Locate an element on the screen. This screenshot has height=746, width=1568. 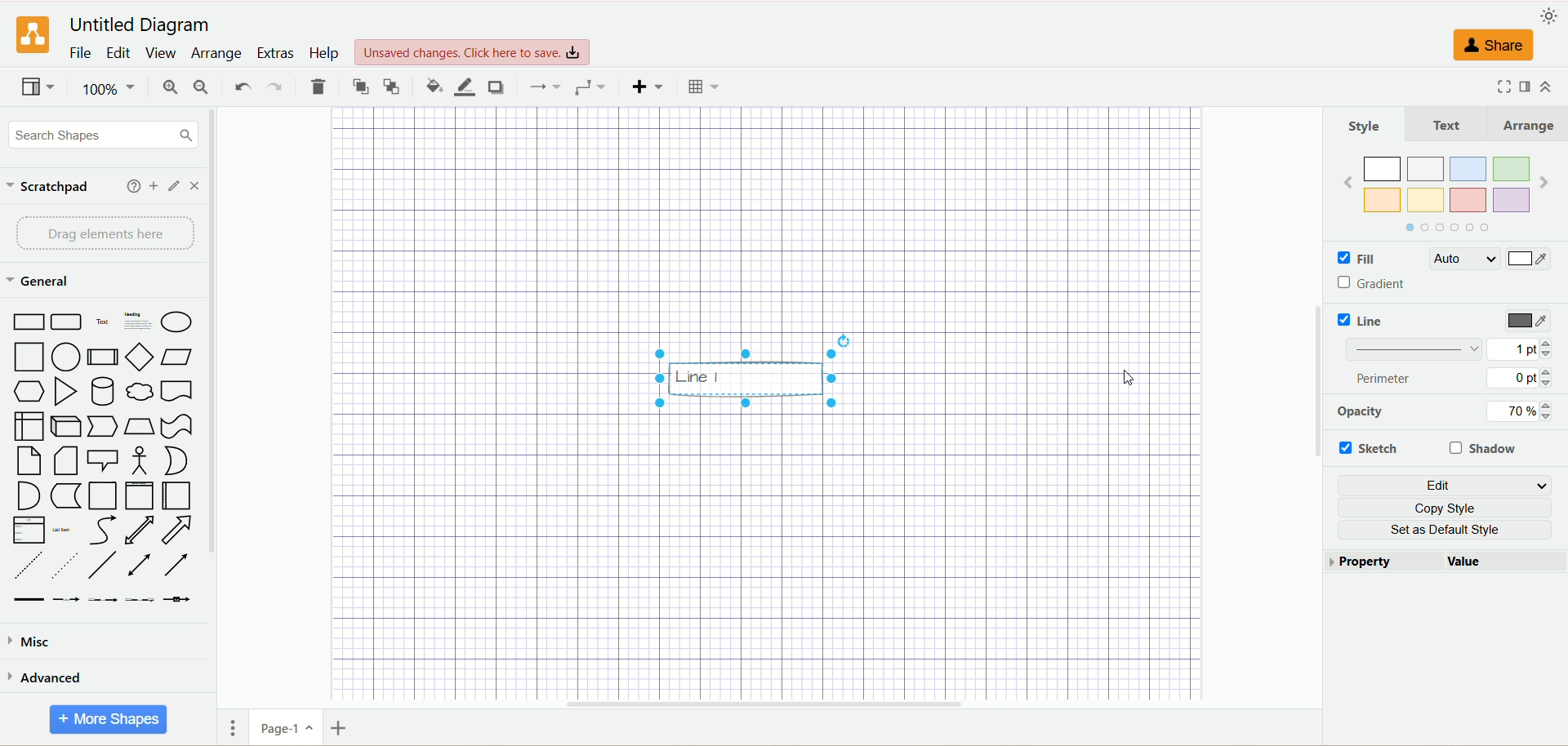
70% is located at coordinates (1522, 413).